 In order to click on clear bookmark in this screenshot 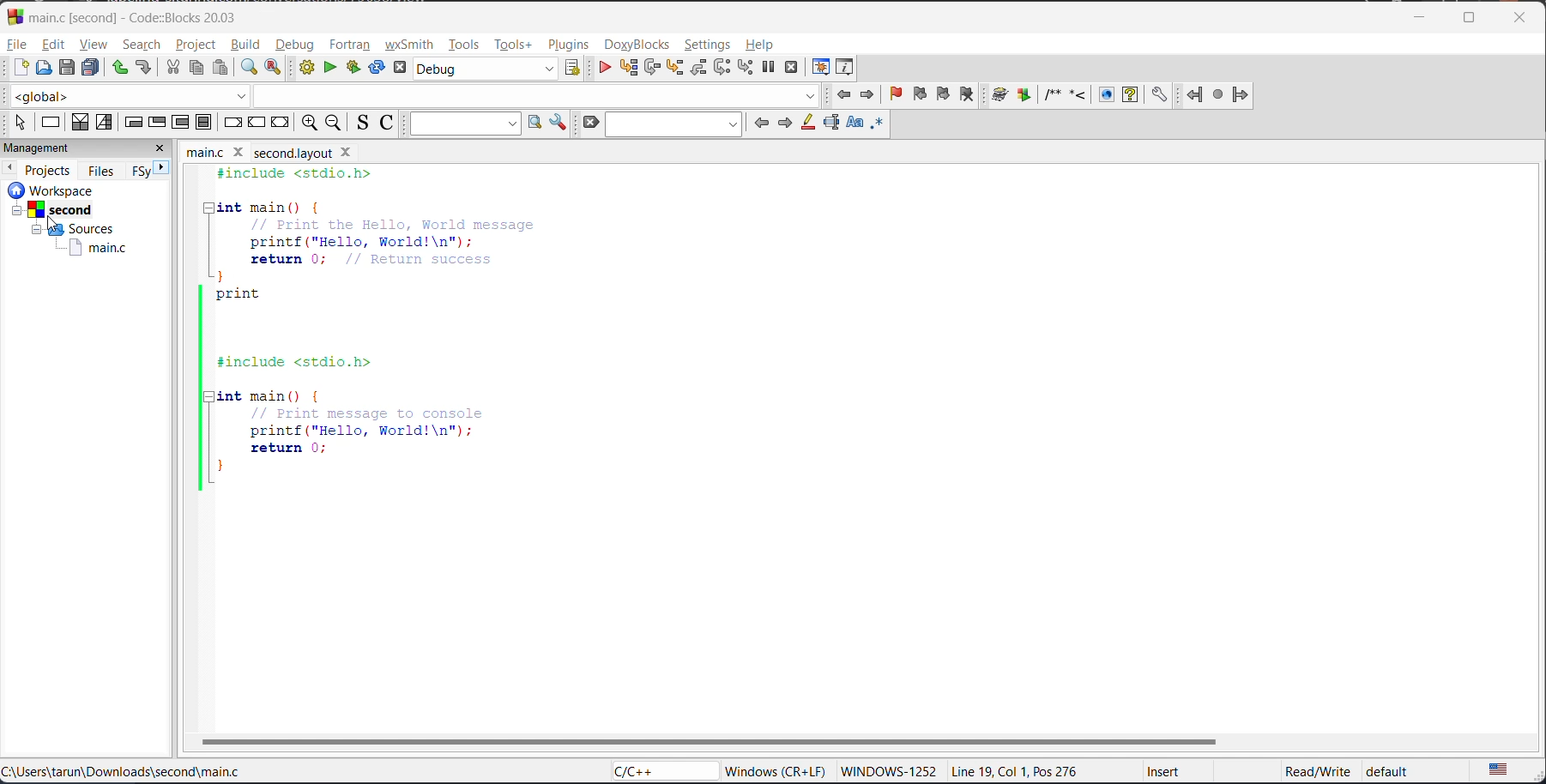, I will do `click(966, 95)`.